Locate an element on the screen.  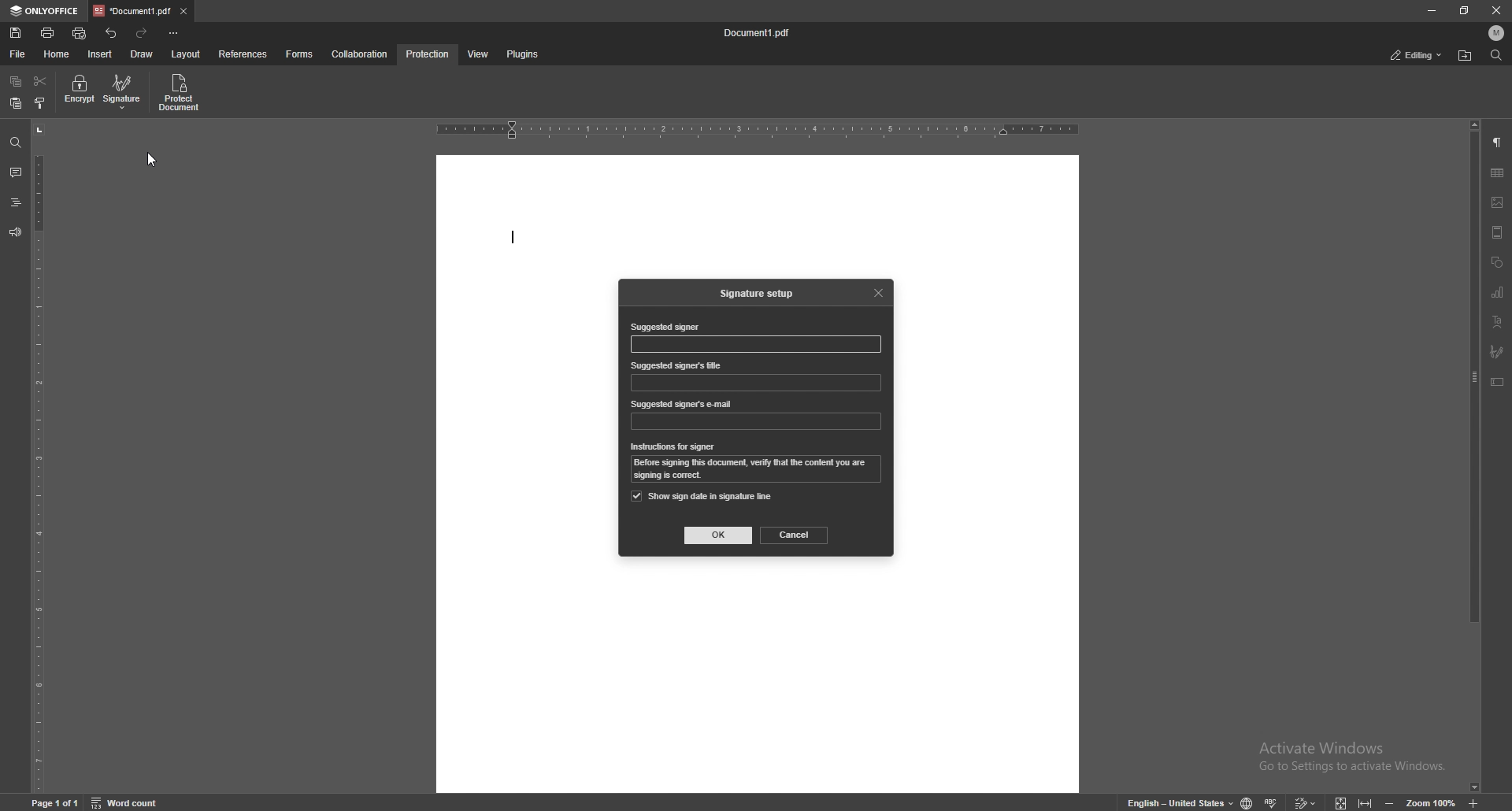
typing start is located at coordinates (513, 238).